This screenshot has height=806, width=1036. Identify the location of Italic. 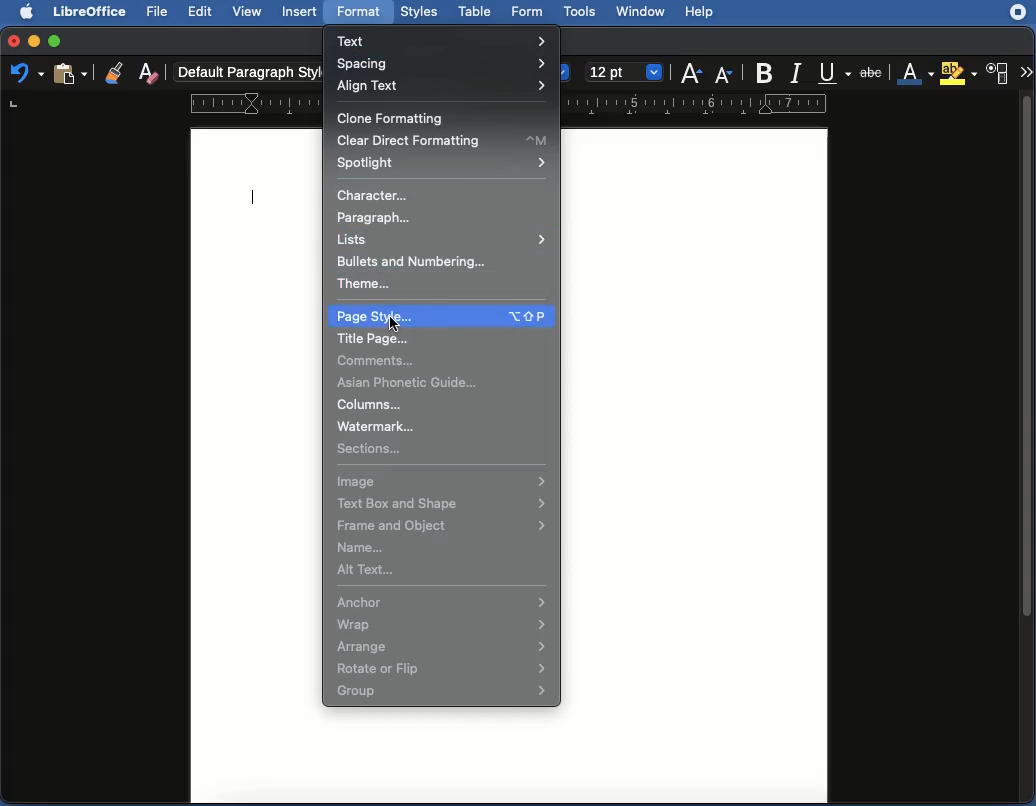
(795, 74).